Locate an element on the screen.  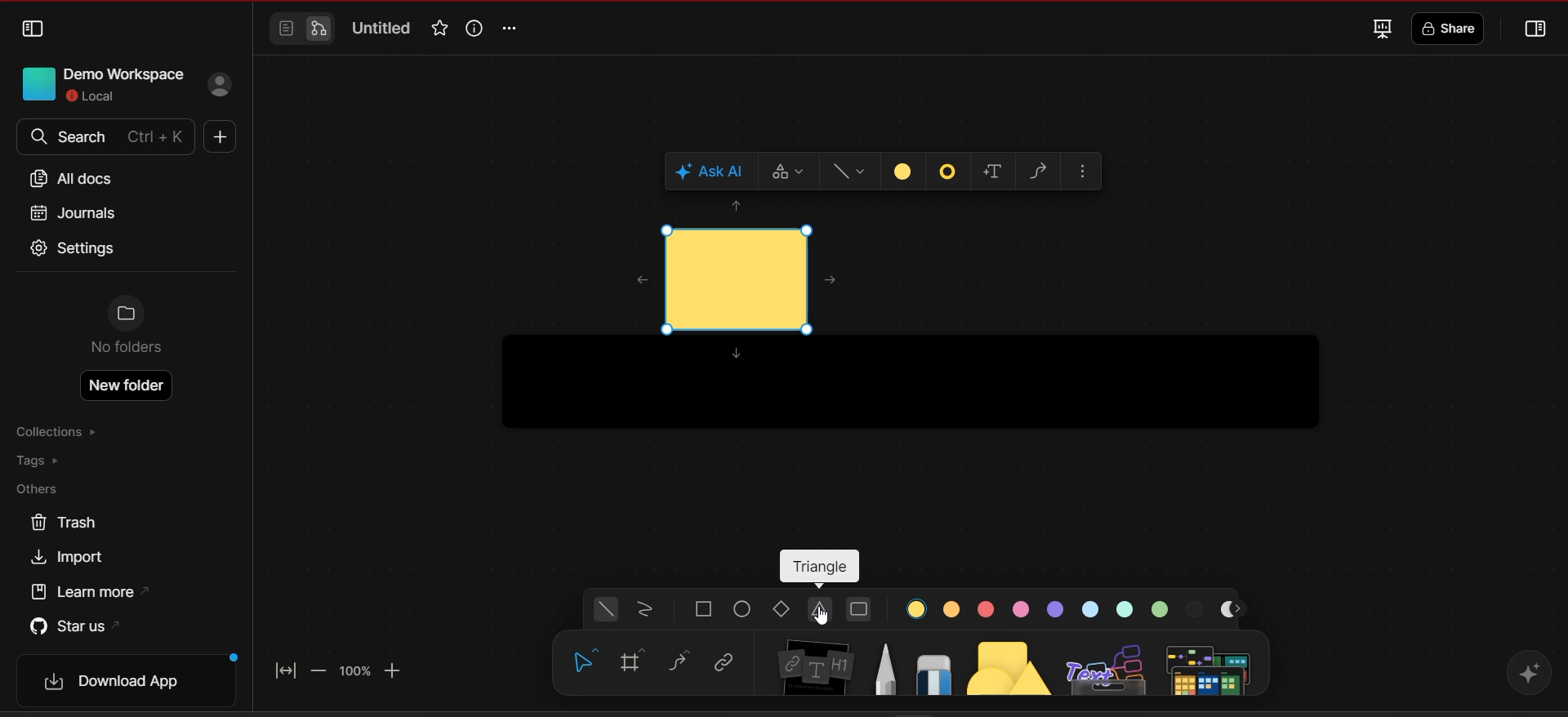
share is located at coordinates (1451, 29).